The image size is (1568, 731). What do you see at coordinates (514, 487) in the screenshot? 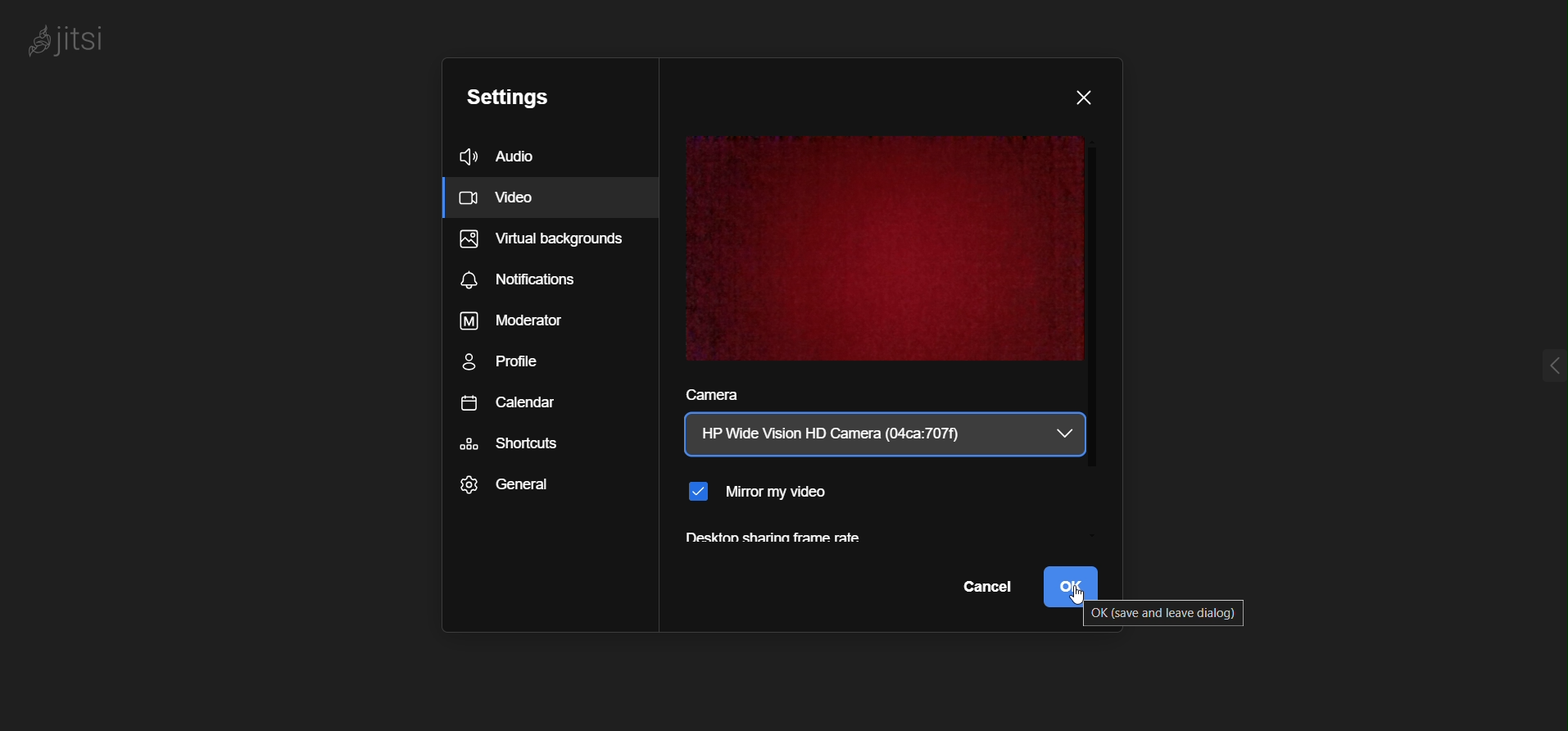
I see `general` at bounding box center [514, 487].